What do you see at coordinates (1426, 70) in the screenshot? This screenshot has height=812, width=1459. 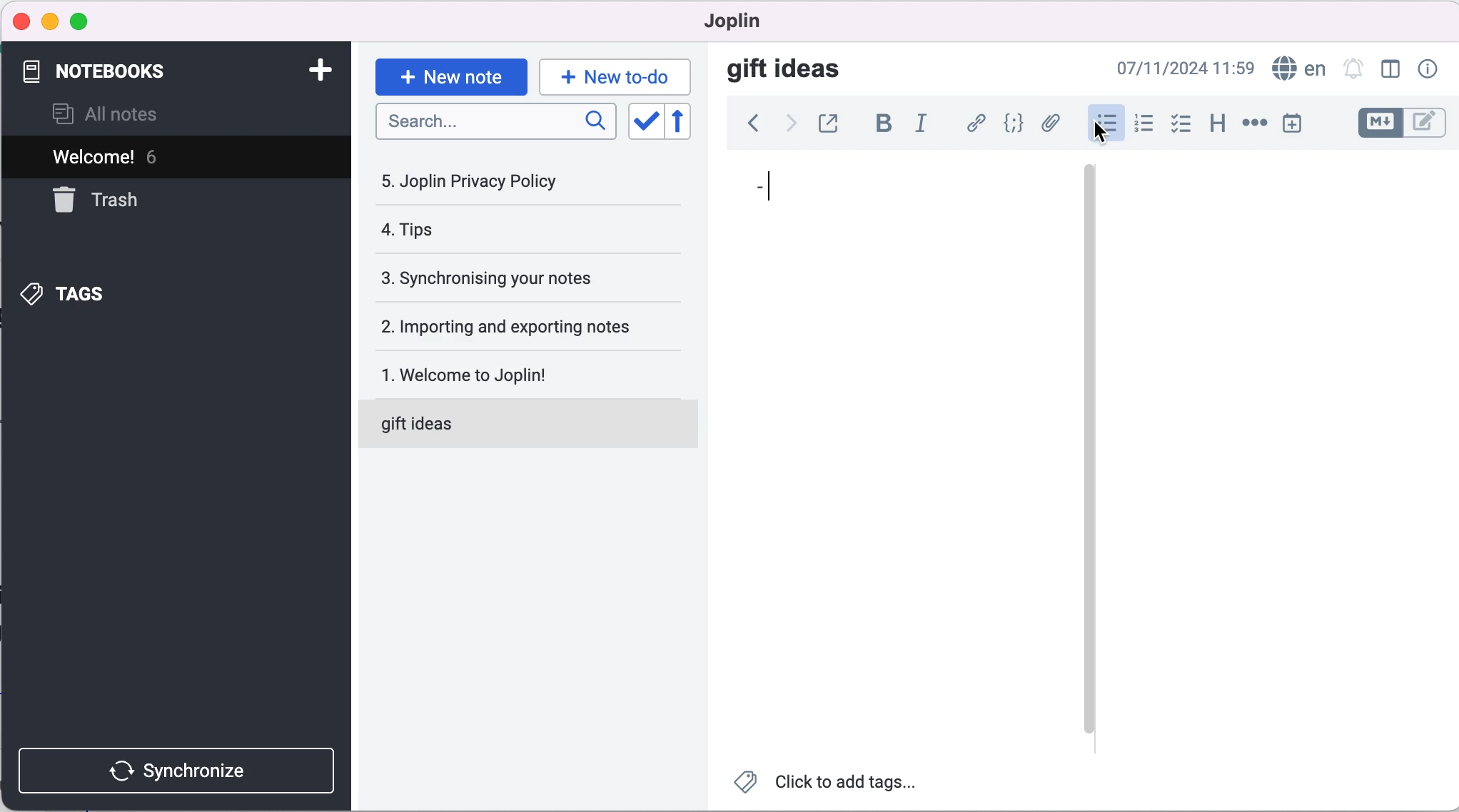 I see `note properties` at bounding box center [1426, 70].